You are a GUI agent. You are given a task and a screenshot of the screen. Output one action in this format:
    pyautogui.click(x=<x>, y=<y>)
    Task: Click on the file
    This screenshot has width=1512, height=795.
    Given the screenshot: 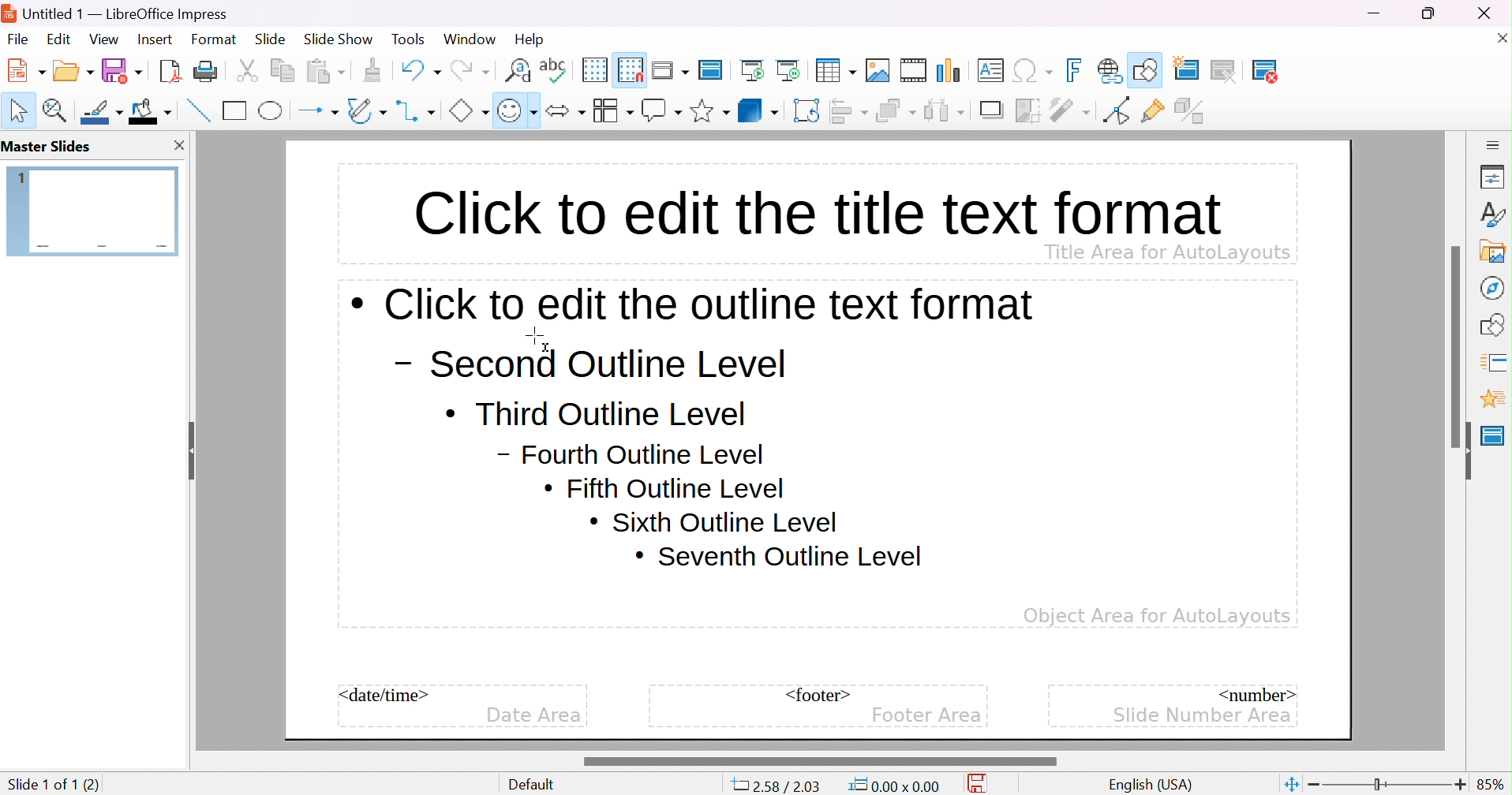 What is the action you would take?
    pyautogui.click(x=18, y=39)
    